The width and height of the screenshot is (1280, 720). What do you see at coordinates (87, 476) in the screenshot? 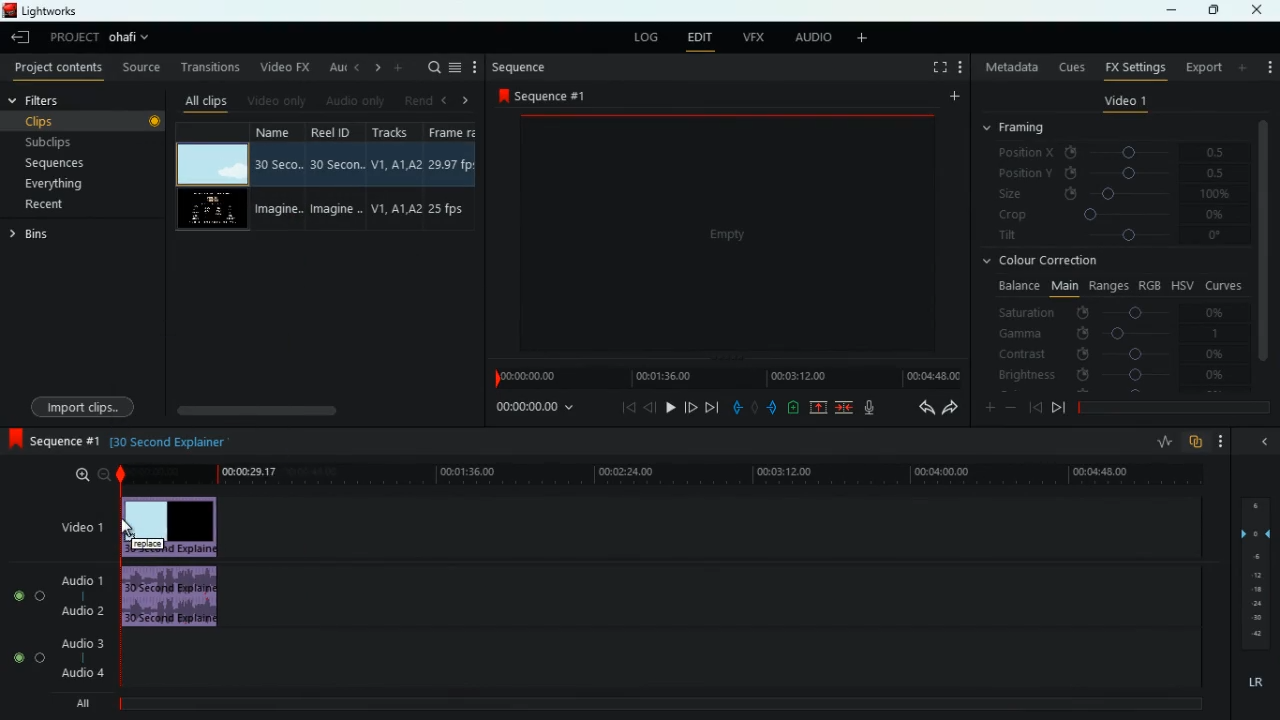
I see `zoom` at bounding box center [87, 476].